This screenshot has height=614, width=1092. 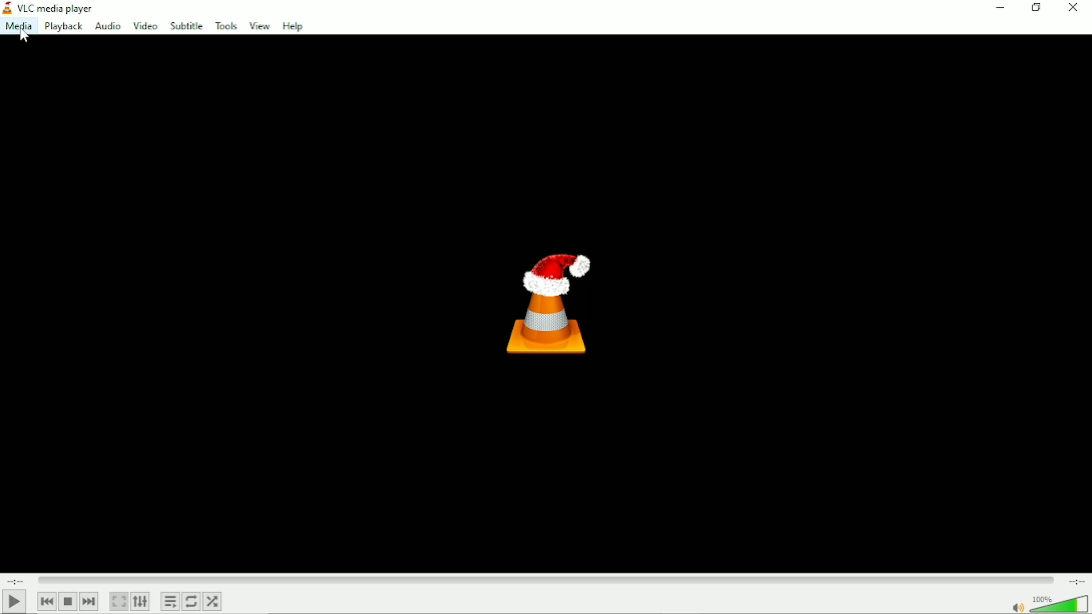 I want to click on Volume, so click(x=1048, y=603).